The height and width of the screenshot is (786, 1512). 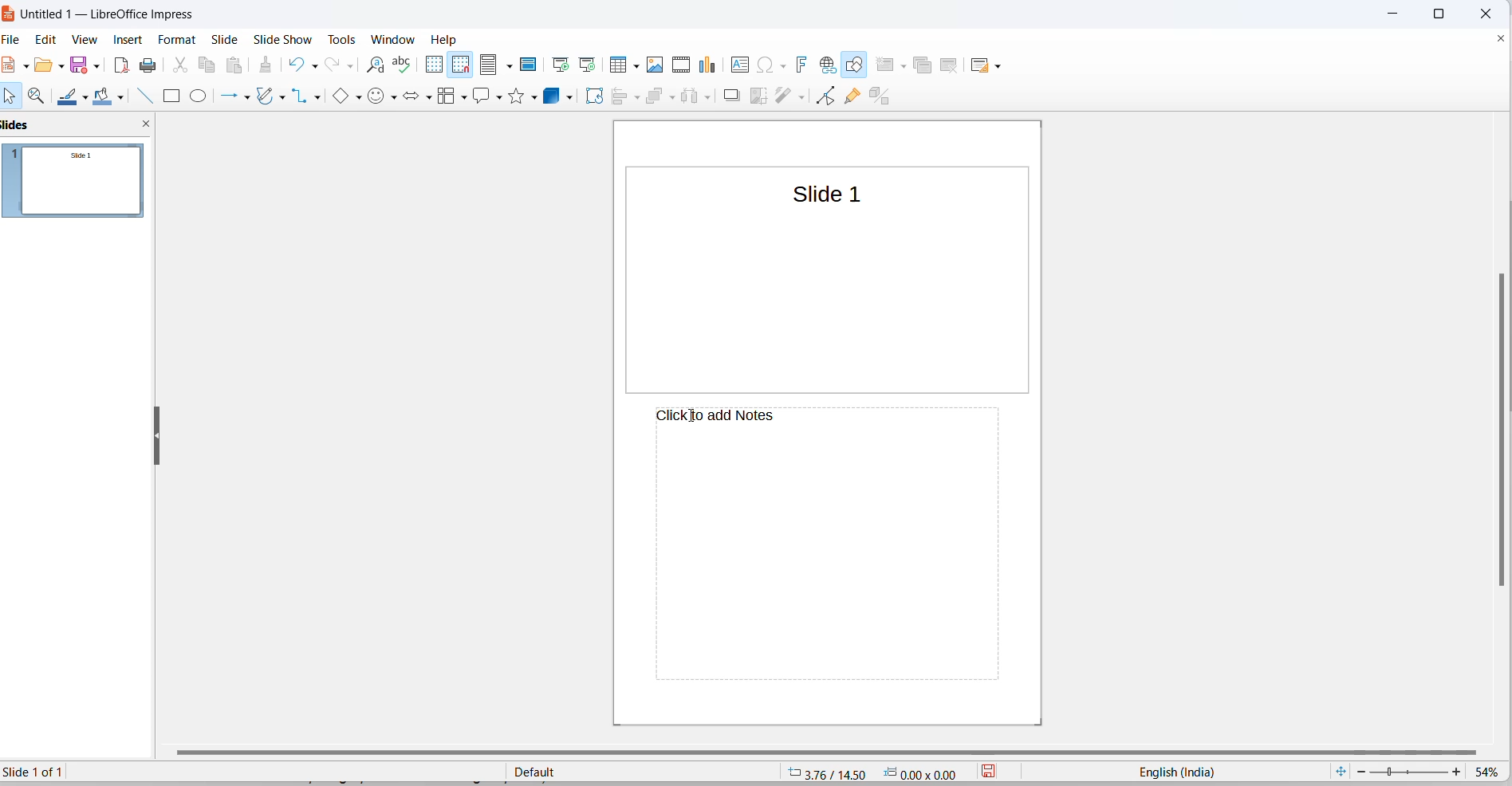 What do you see at coordinates (682, 64) in the screenshot?
I see `insert audio and video` at bounding box center [682, 64].